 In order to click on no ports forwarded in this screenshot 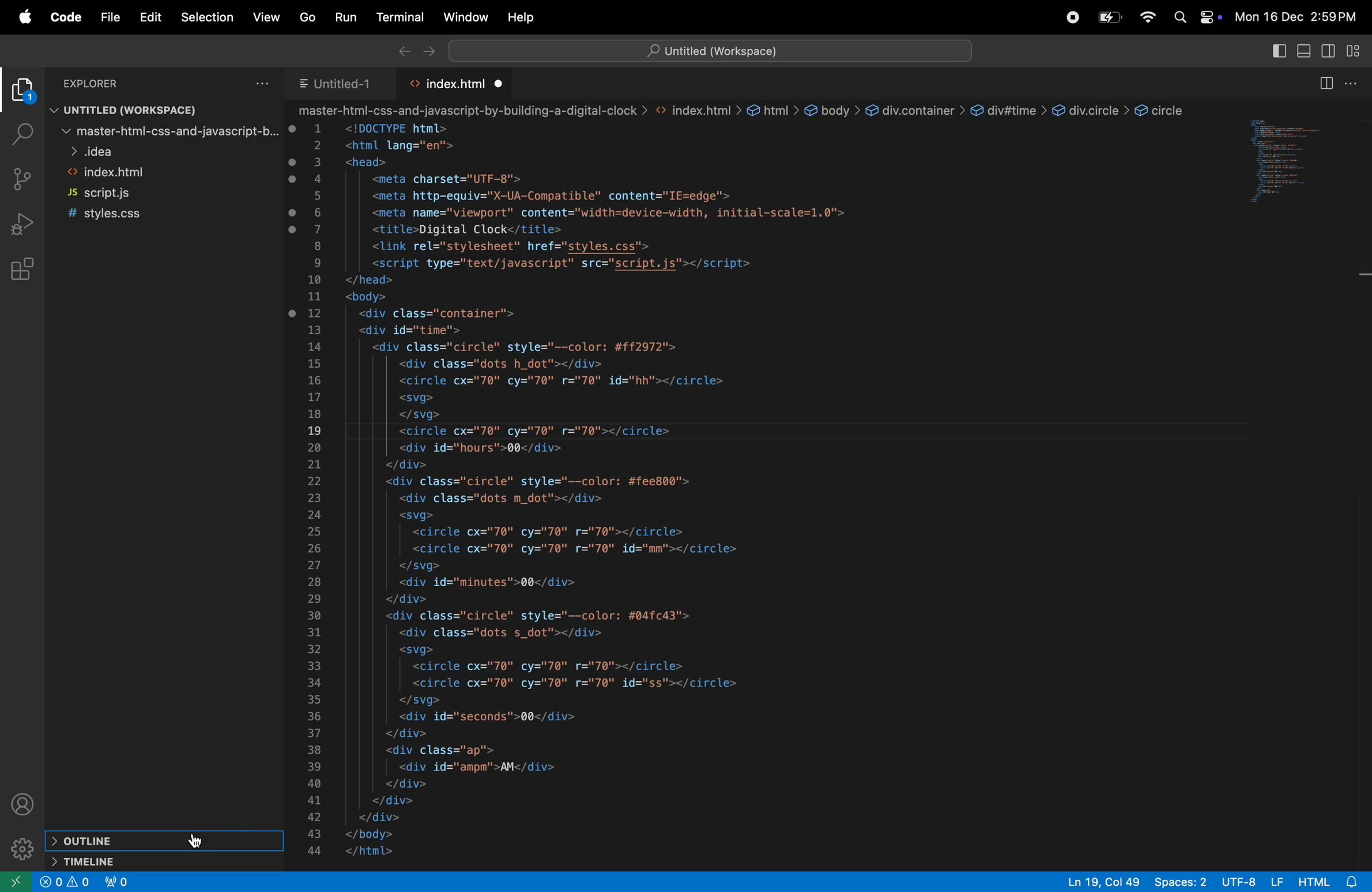, I will do `click(118, 881)`.